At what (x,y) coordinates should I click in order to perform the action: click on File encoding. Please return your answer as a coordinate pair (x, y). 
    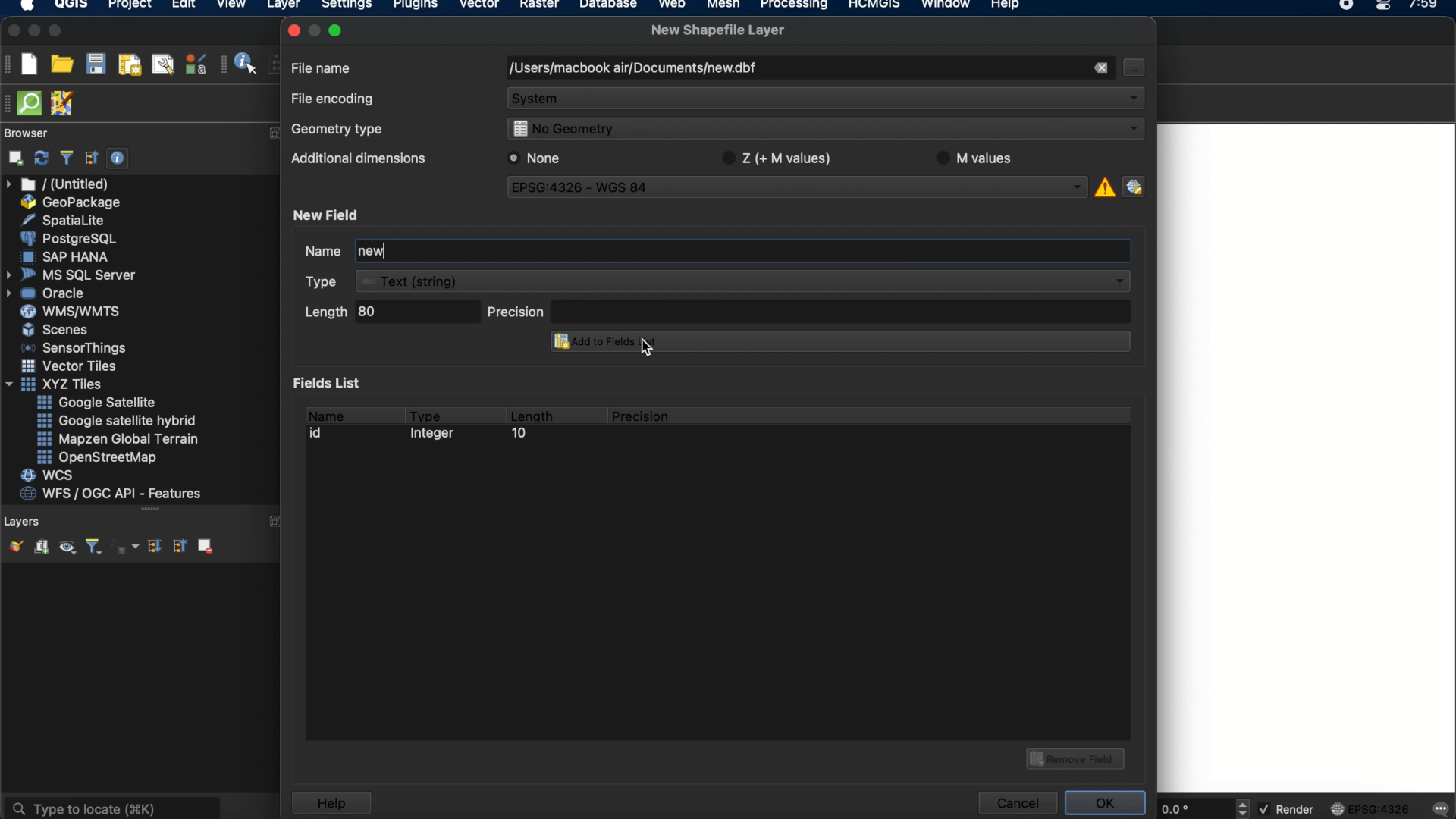
    Looking at the image, I should click on (334, 99).